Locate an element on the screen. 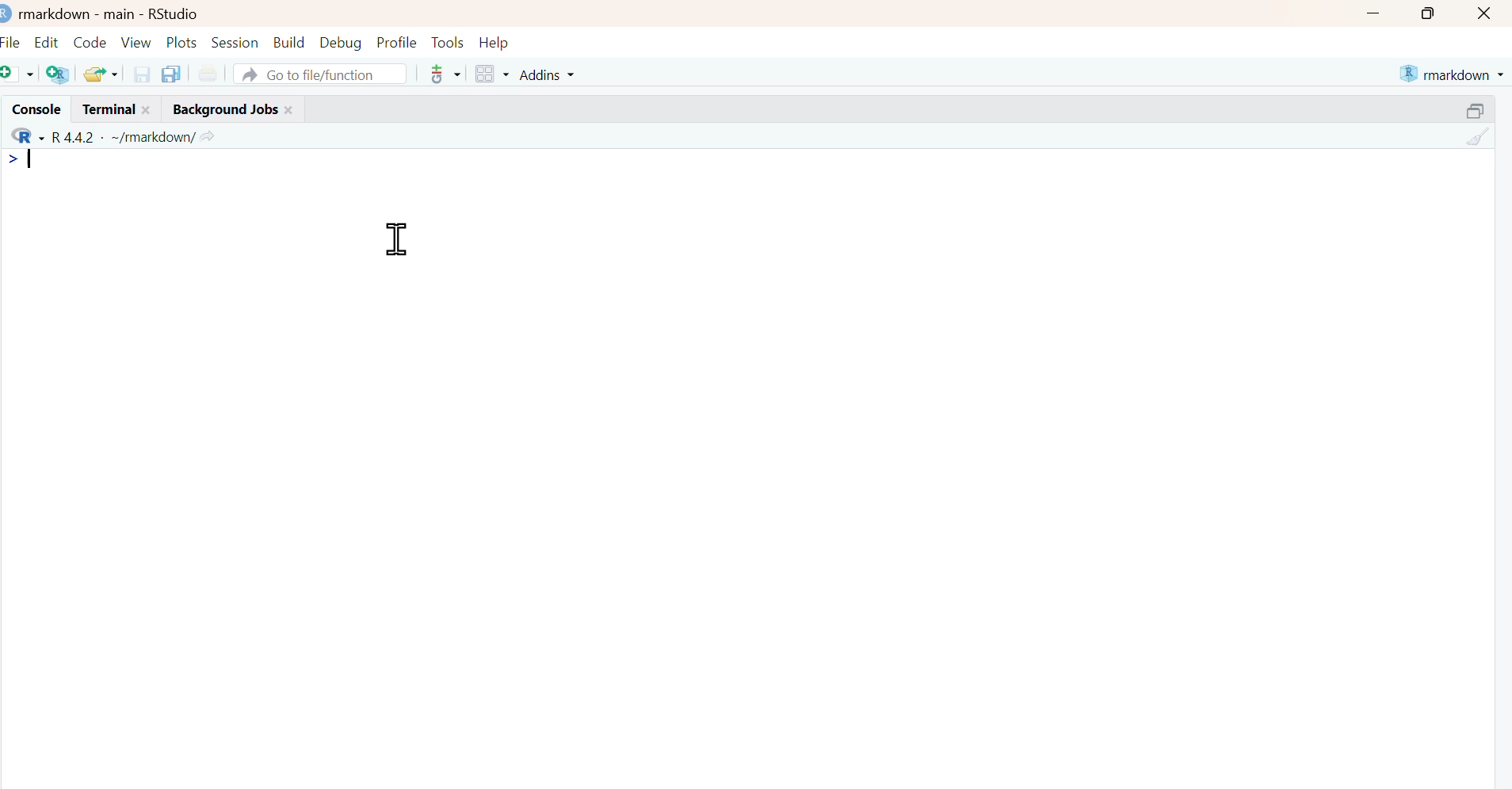 This screenshot has height=789, width=1512. Tools is located at coordinates (447, 40).